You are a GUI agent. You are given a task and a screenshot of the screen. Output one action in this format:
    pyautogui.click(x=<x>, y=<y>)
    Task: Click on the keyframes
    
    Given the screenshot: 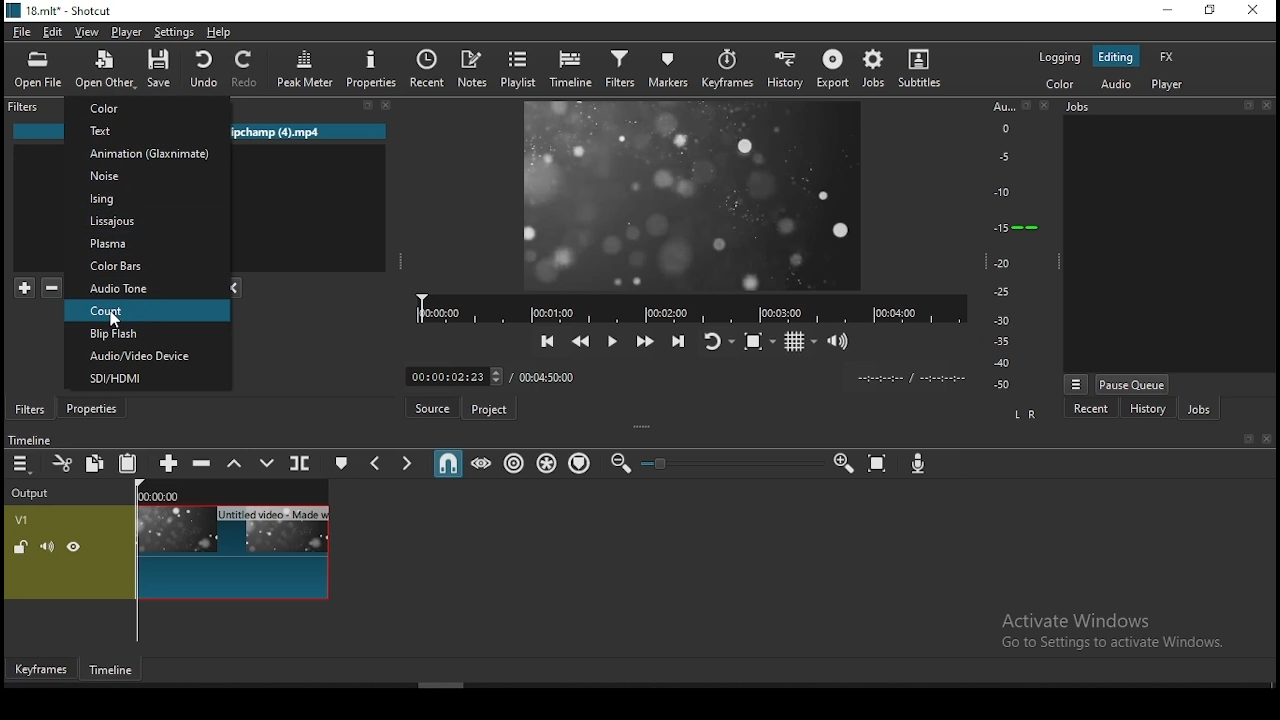 What is the action you would take?
    pyautogui.click(x=727, y=68)
    